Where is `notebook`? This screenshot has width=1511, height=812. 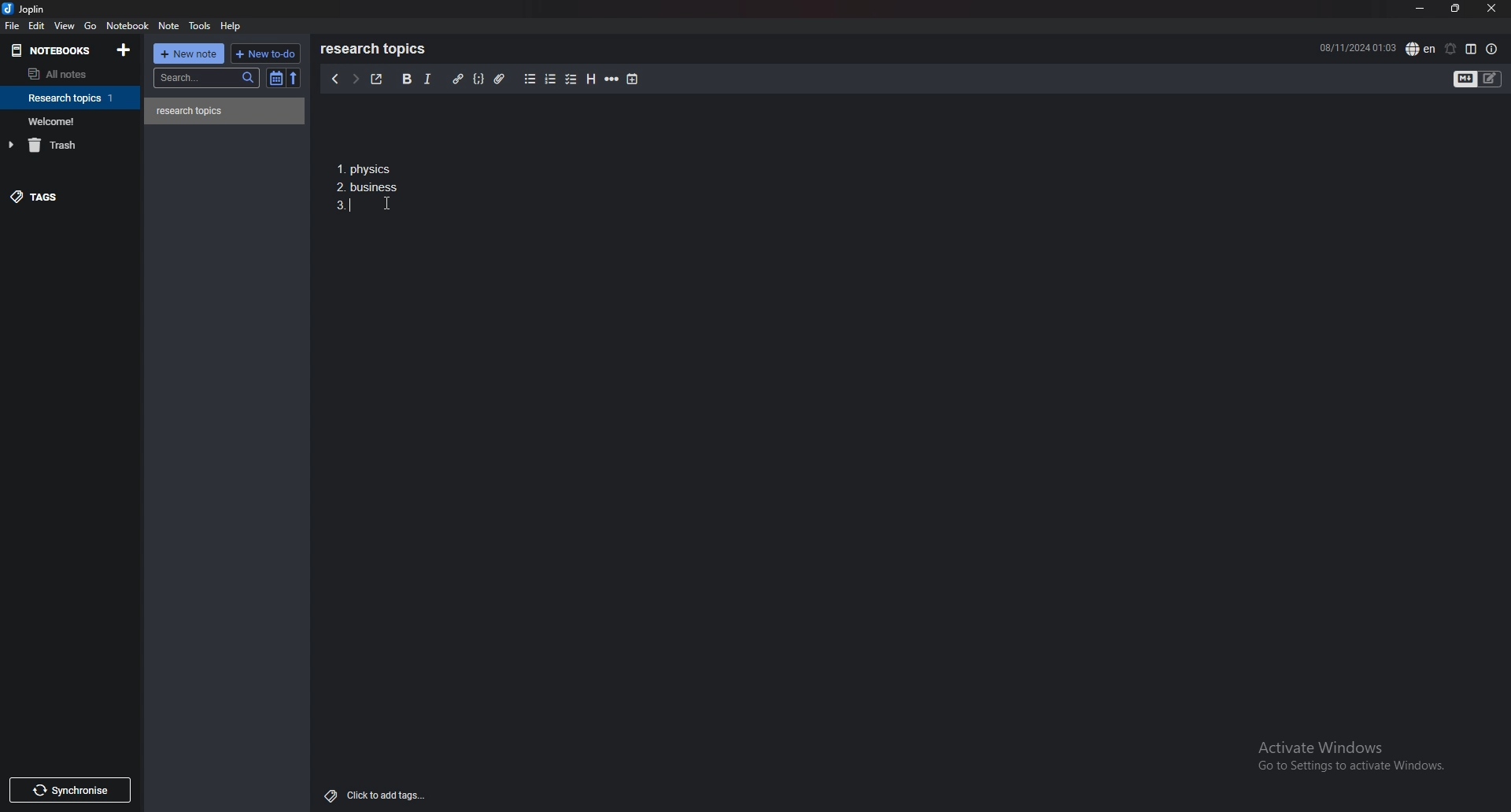 notebook is located at coordinates (72, 98).